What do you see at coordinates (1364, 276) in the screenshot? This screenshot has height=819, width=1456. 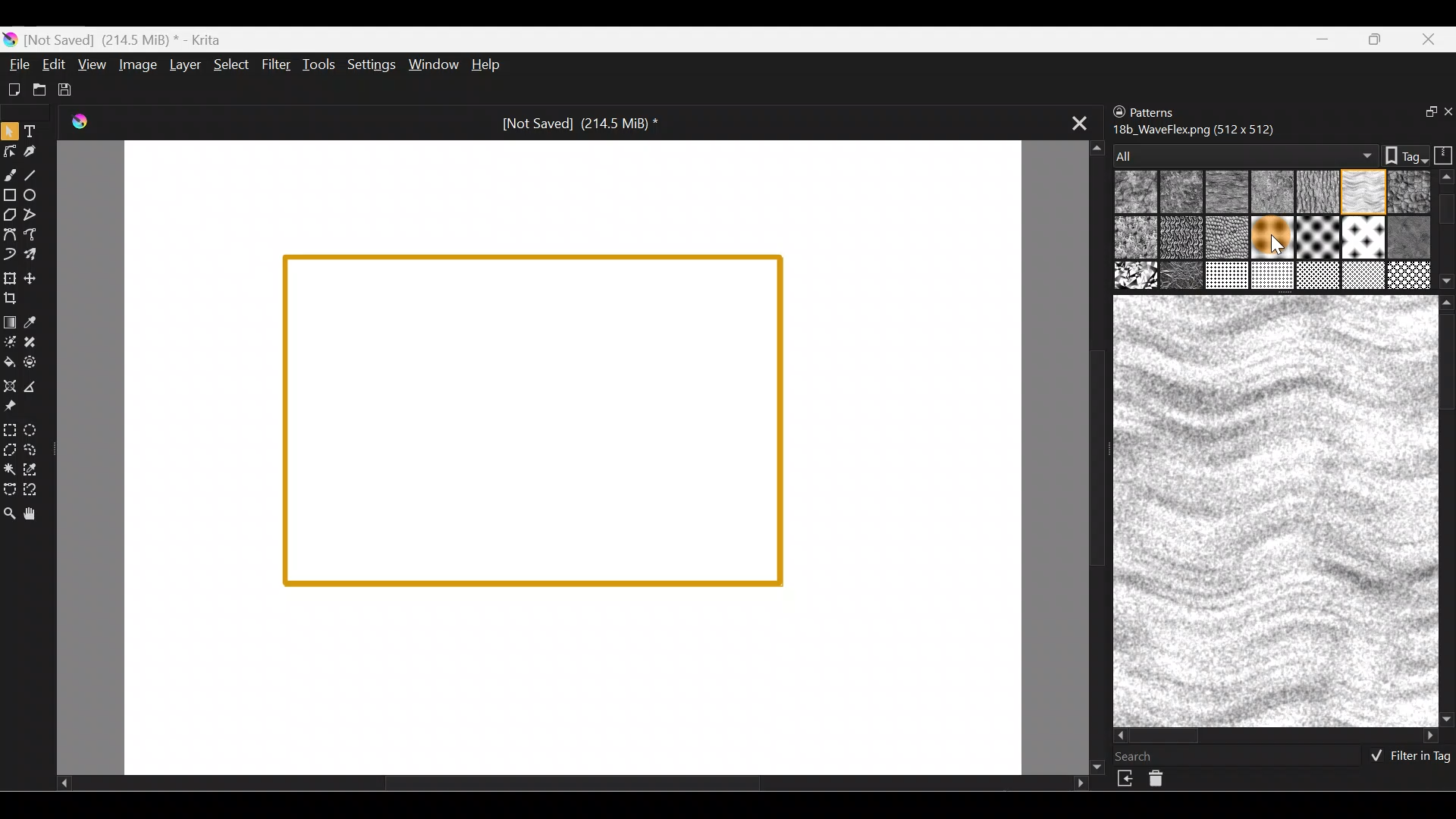 I see `19 texture_crackle.png` at bounding box center [1364, 276].